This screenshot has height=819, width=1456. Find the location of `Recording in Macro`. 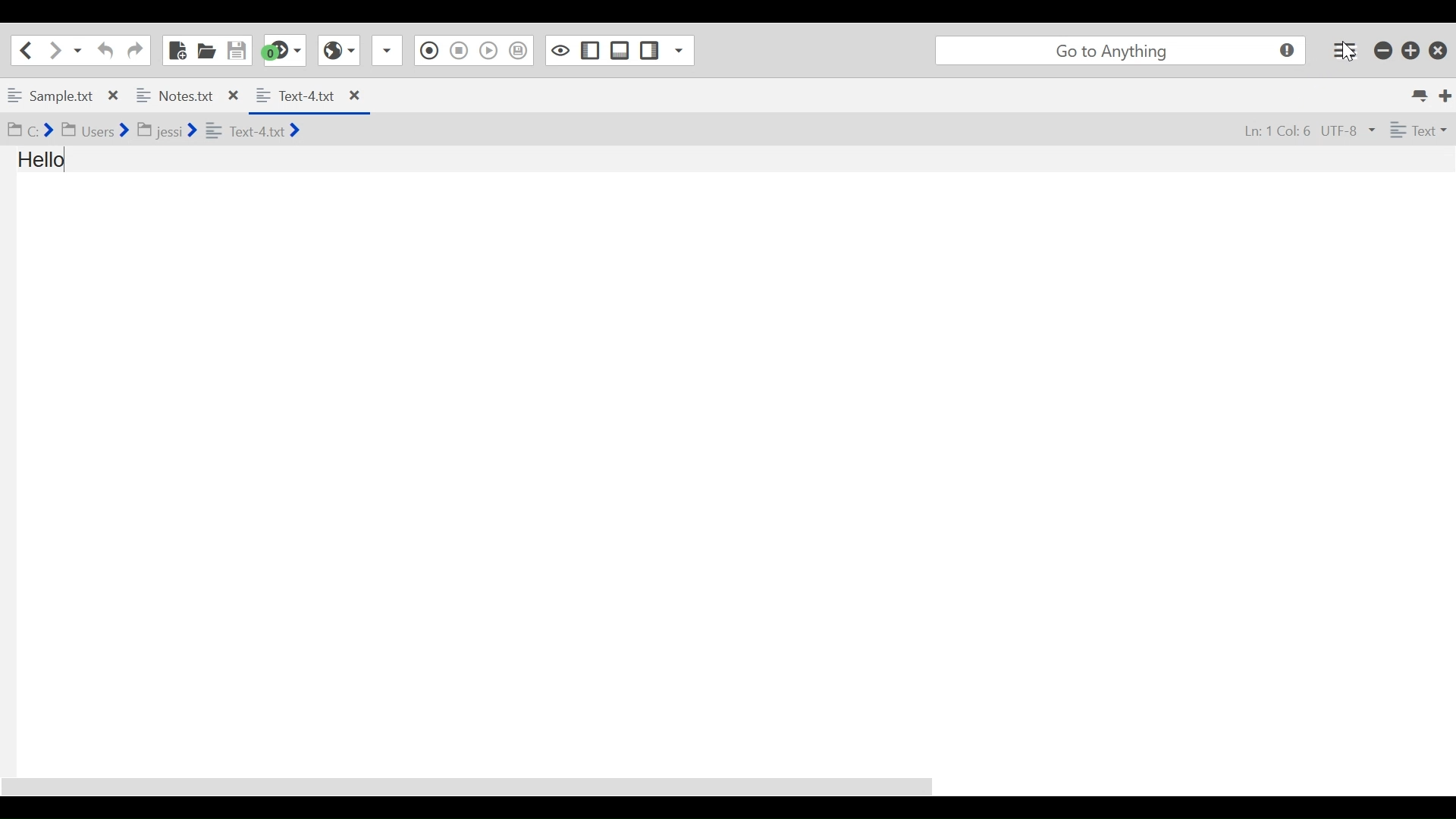

Recording in Macro is located at coordinates (429, 51).